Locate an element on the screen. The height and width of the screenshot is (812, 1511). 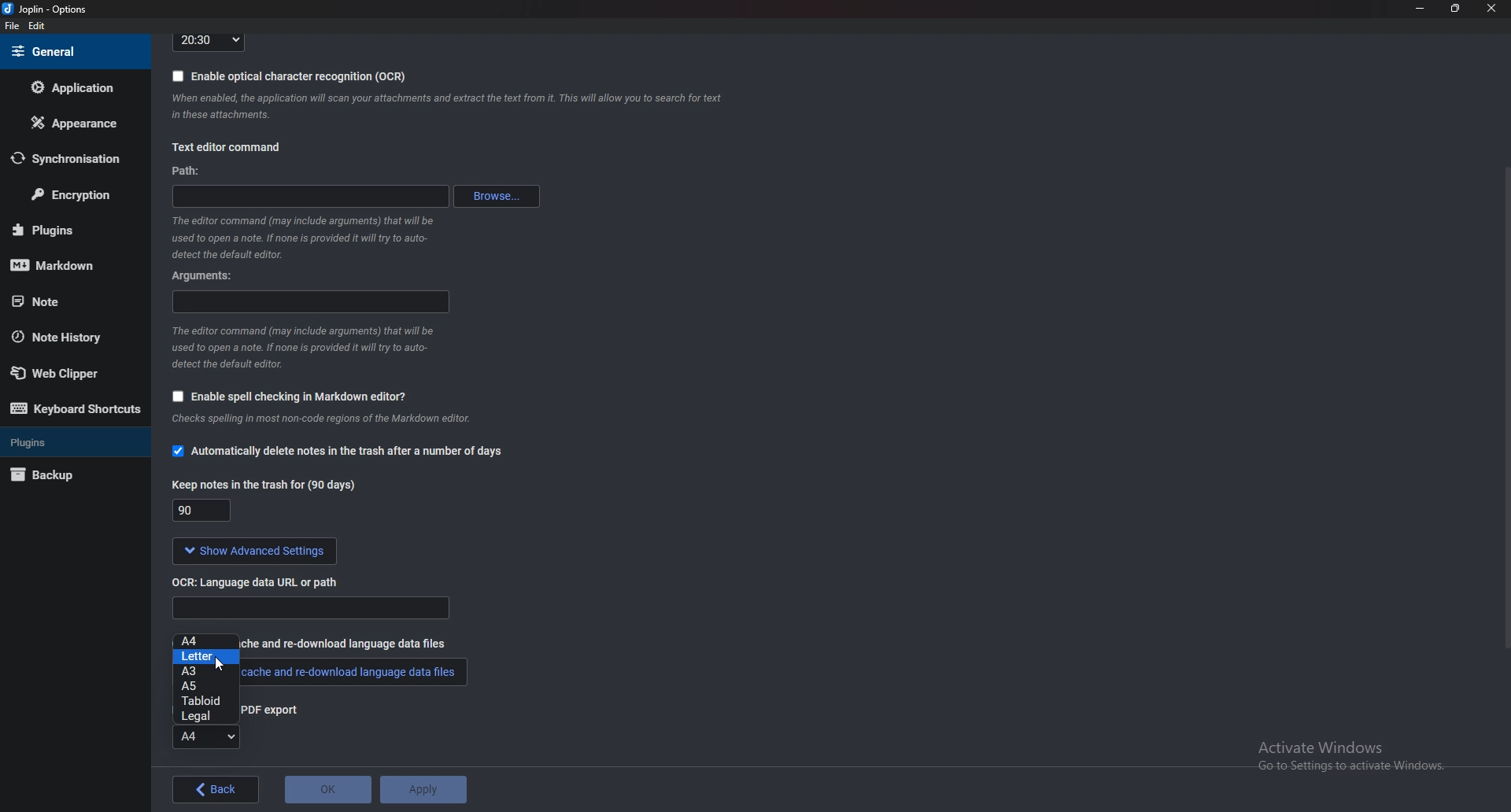
arguments is located at coordinates (313, 302).